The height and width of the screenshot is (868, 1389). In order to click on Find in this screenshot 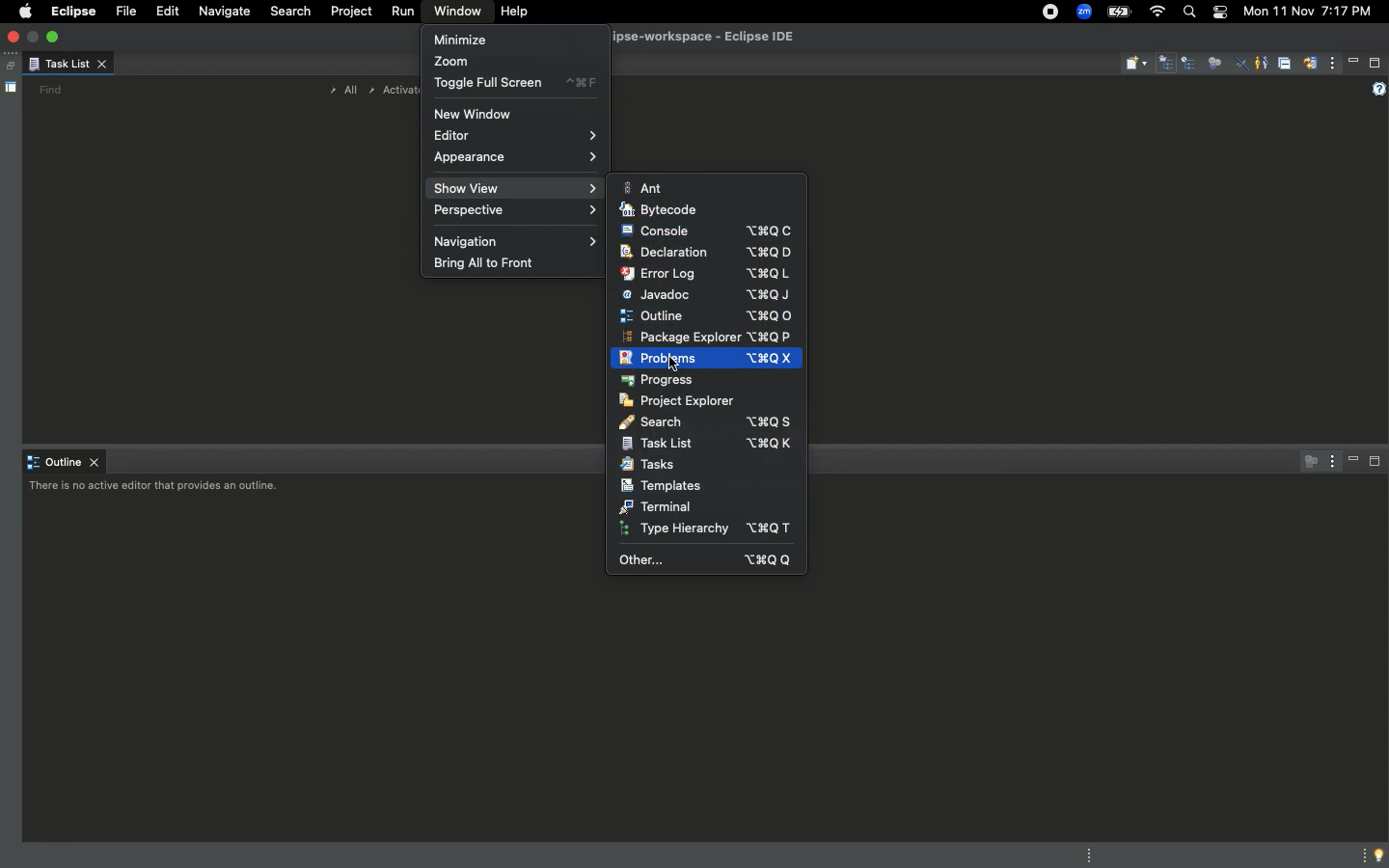, I will do `click(50, 90)`.